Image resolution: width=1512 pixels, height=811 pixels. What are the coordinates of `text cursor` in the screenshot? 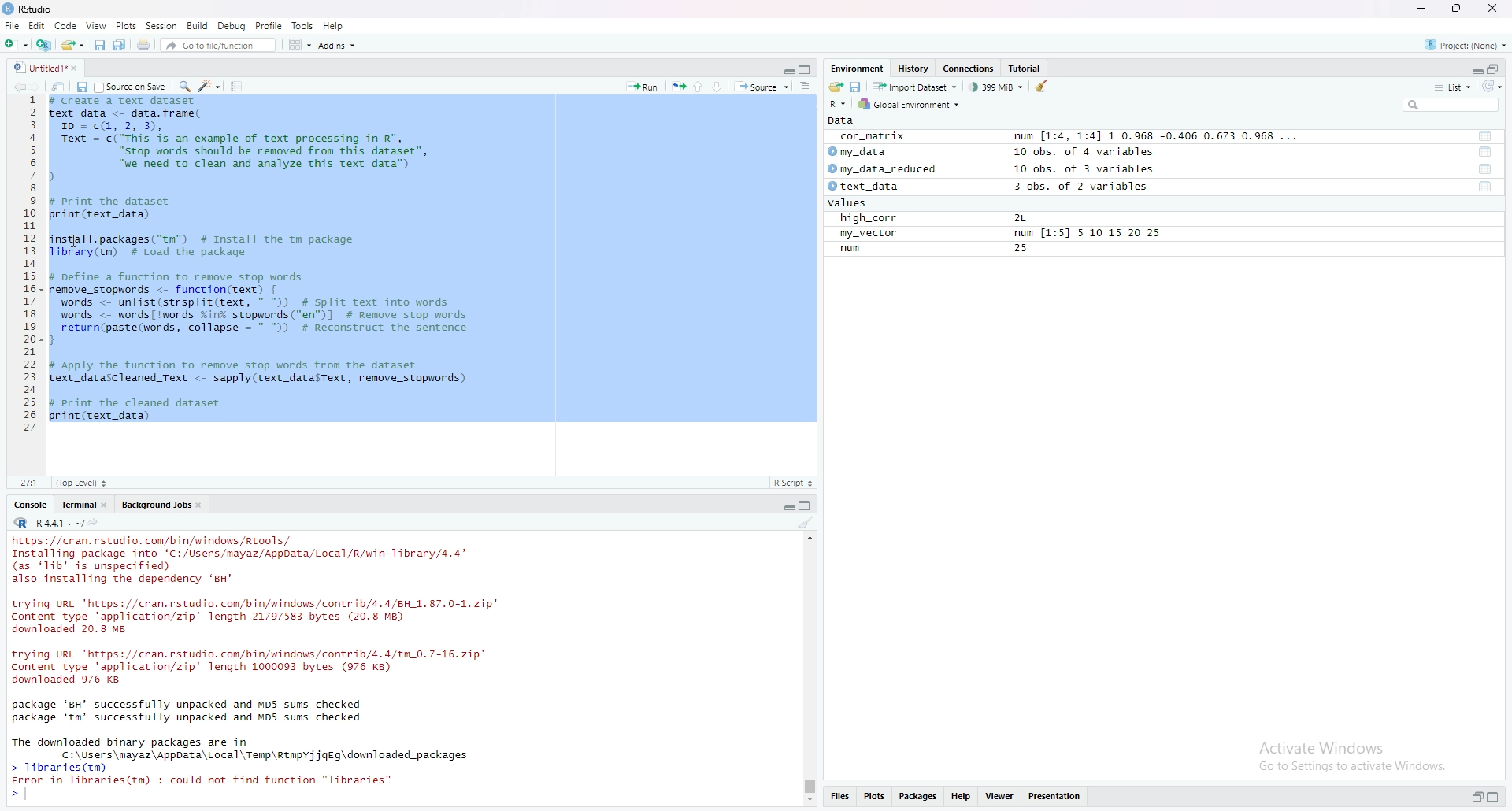 It's located at (25, 794).